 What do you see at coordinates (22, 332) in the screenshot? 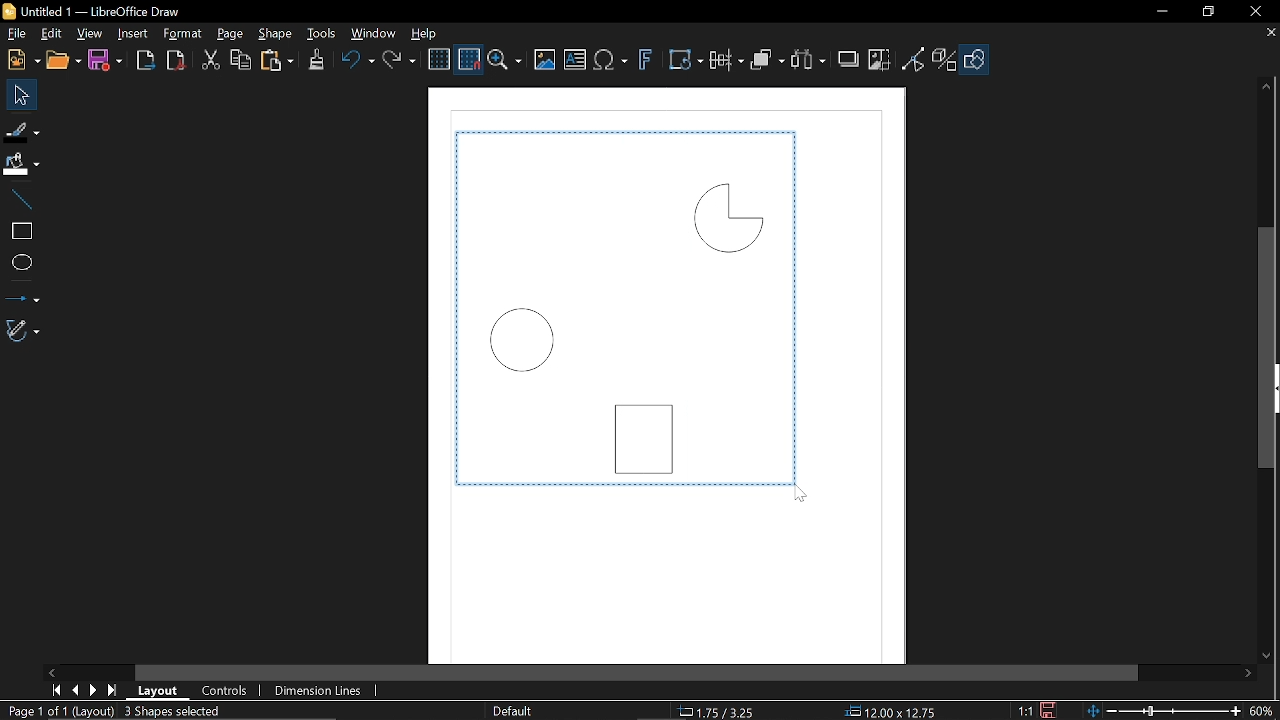
I see `Curves and polygon` at bounding box center [22, 332].